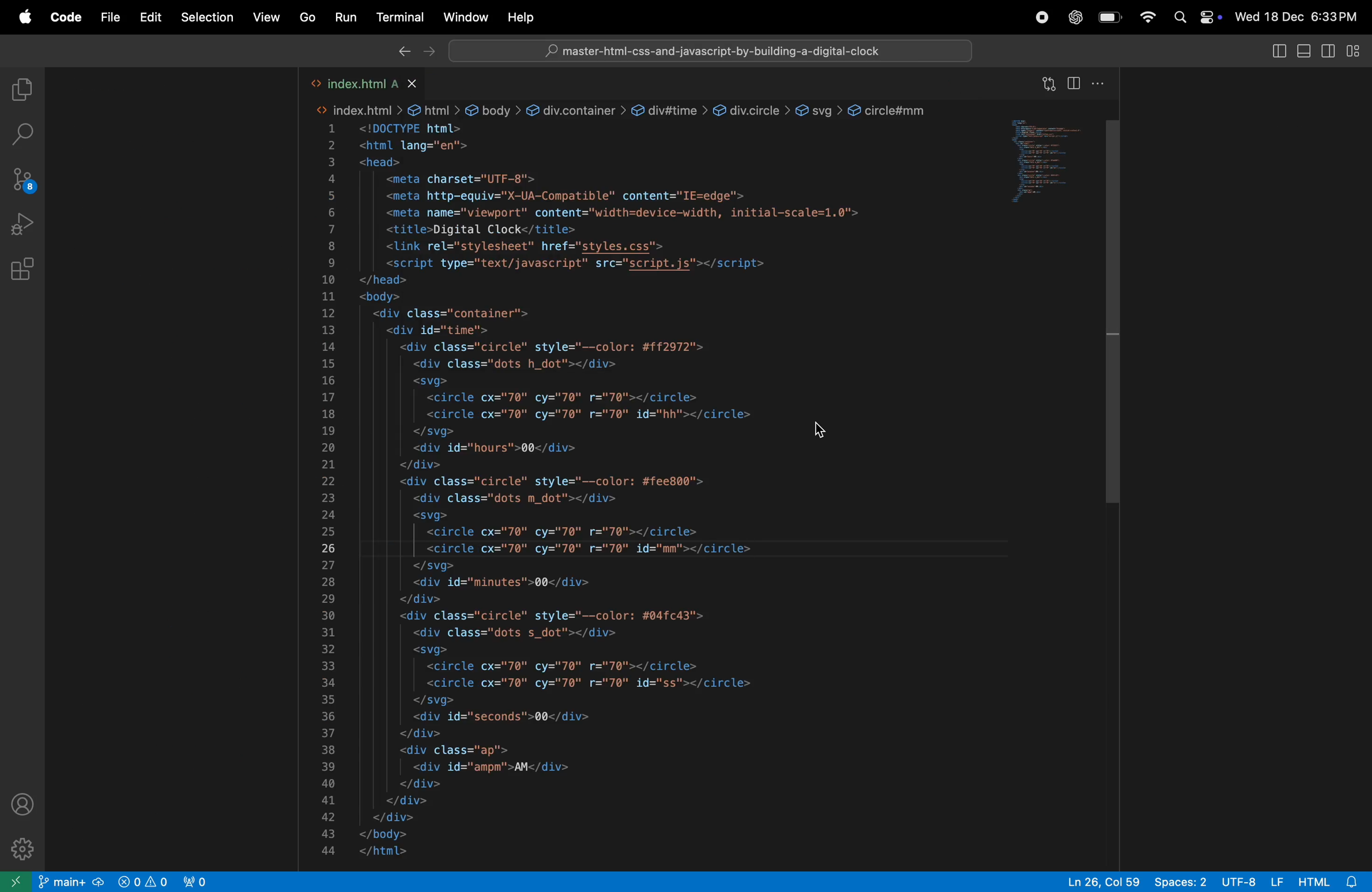 This screenshot has width=1372, height=892. Describe the element at coordinates (22, 224) in the screenshot. I see `run and debug` at that location.